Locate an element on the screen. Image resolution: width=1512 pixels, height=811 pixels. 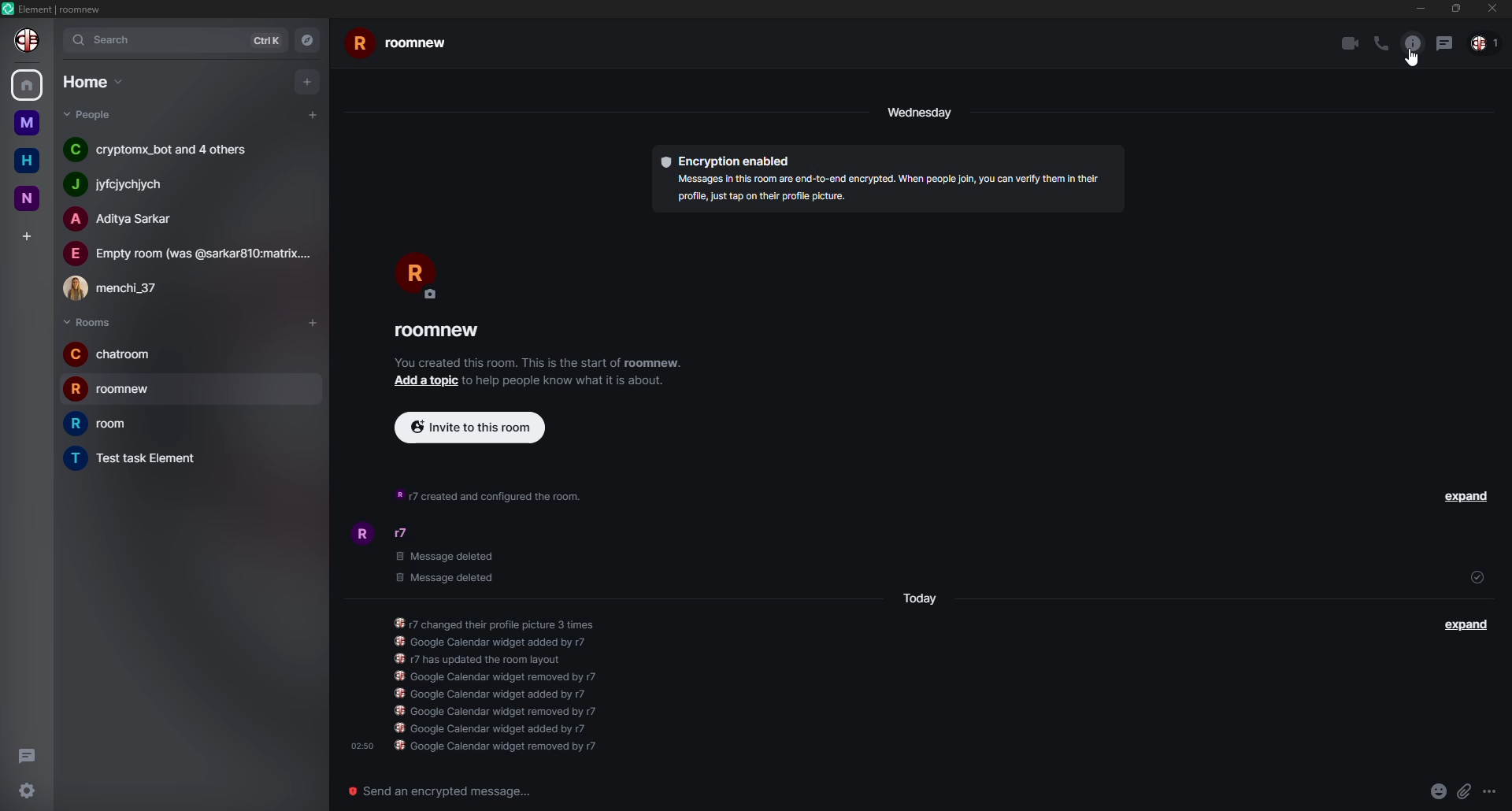
room is located at coordinates (112, 354).